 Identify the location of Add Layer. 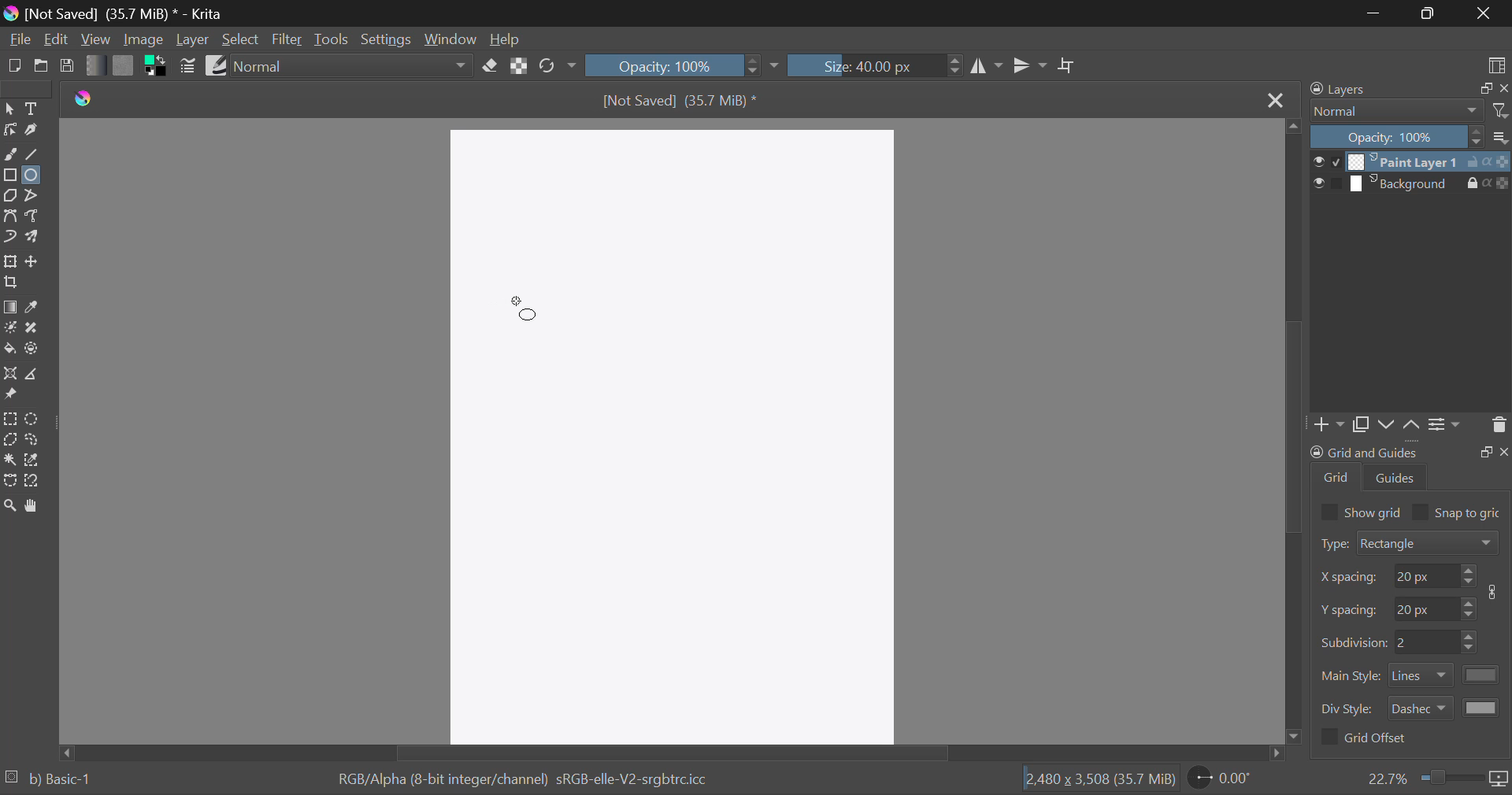
(1331, 426).